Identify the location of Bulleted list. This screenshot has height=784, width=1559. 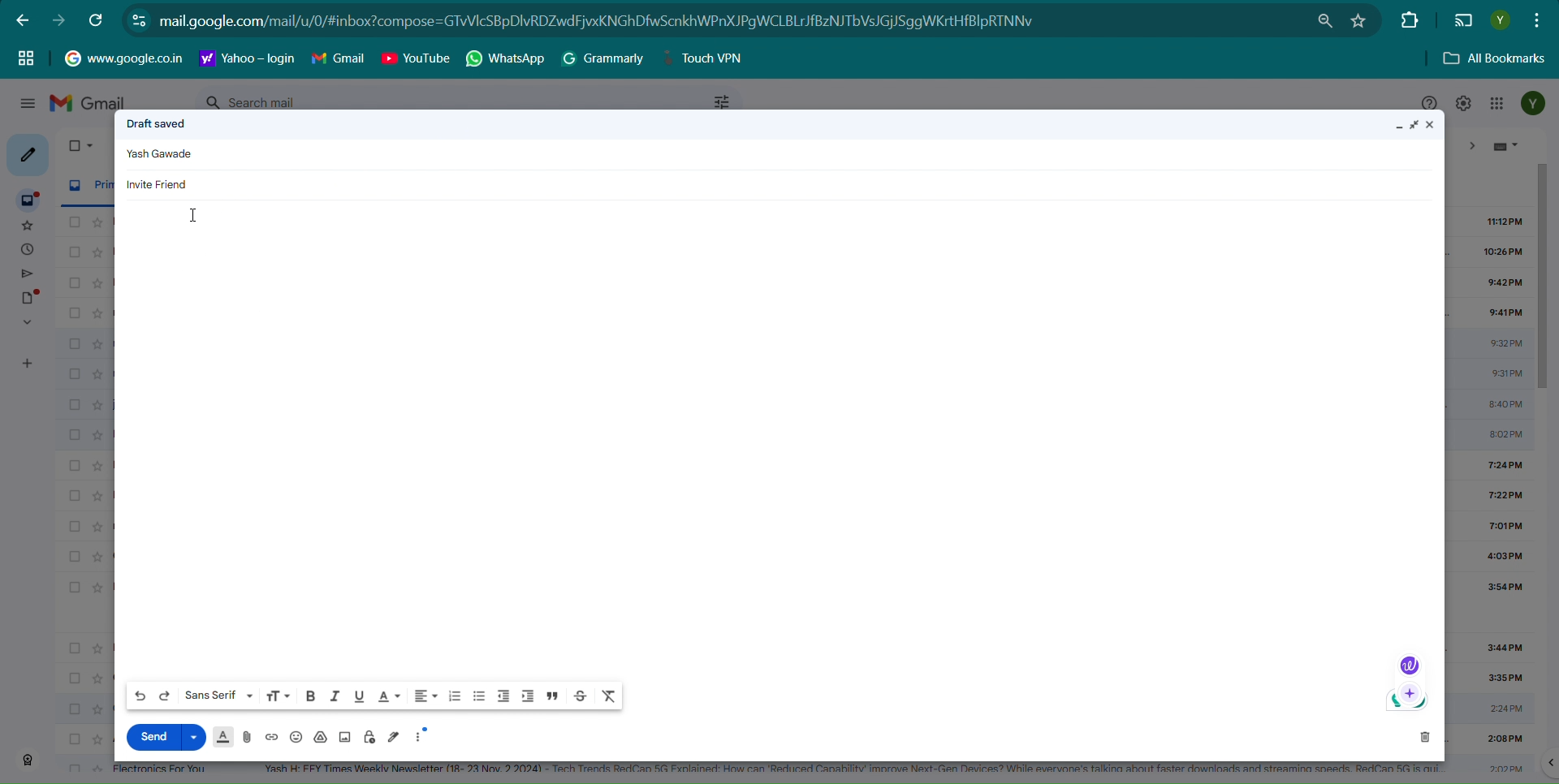
(479, 697).